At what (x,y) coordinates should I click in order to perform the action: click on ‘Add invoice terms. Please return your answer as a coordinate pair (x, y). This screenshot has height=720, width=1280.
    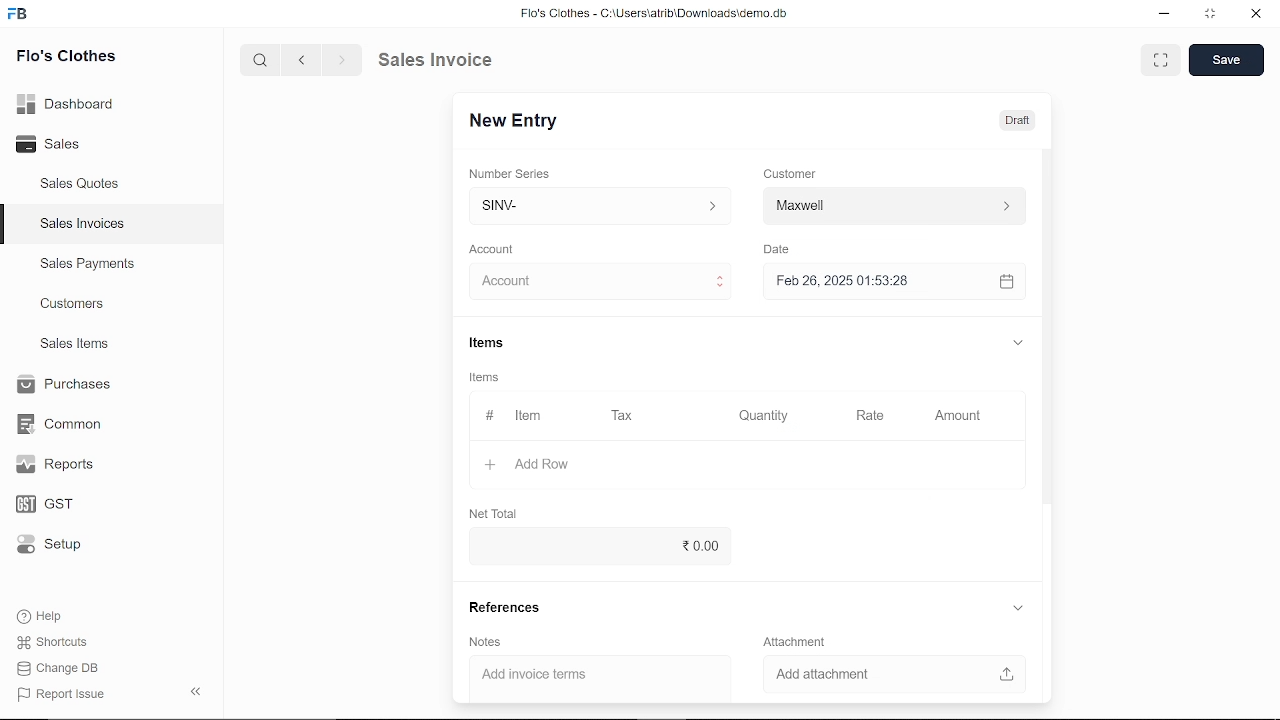
    Looking at the image, I should click on (584, 677).